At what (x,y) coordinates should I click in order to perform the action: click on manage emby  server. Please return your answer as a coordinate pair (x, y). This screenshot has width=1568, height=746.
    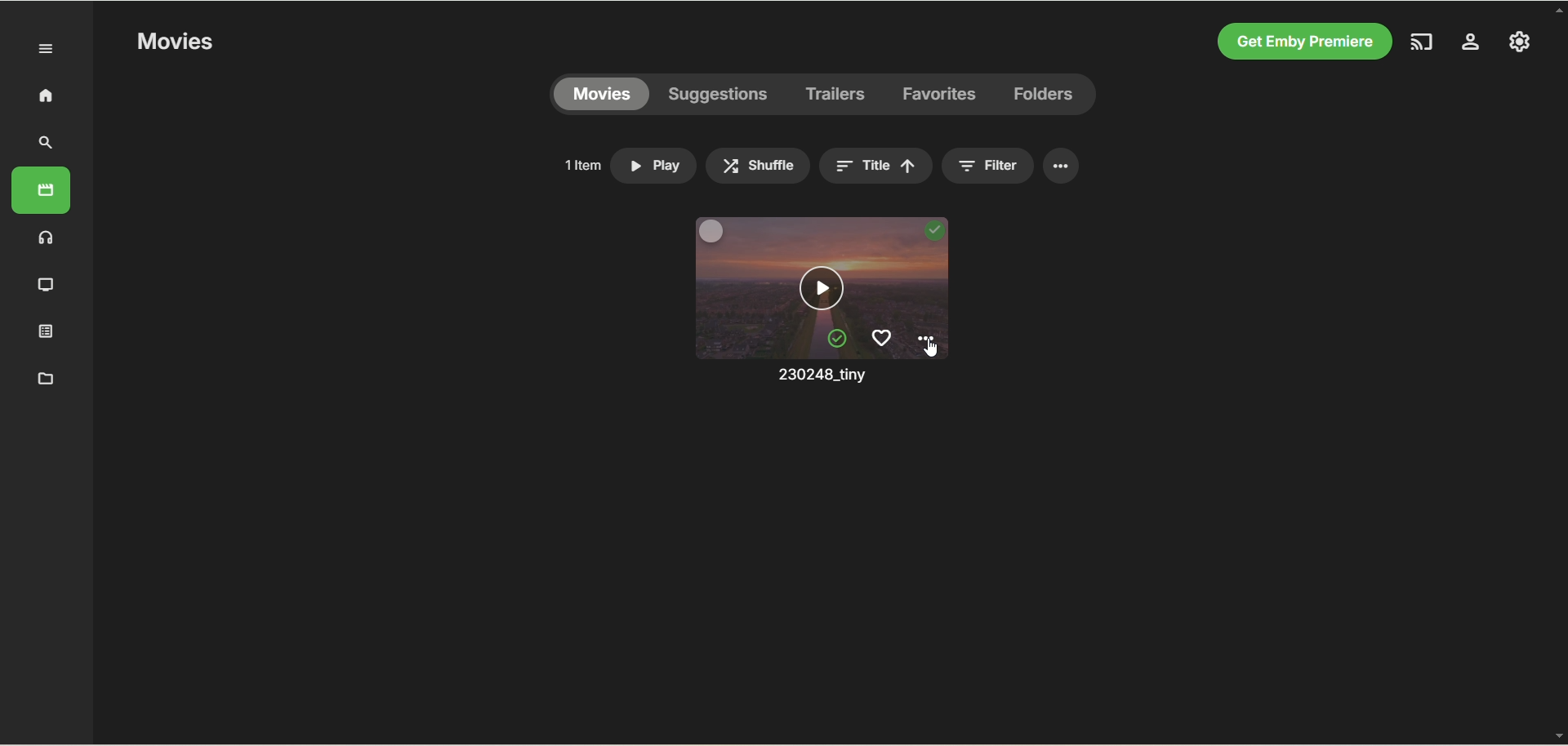
    Looking at the image, I should click on (1520, 41).